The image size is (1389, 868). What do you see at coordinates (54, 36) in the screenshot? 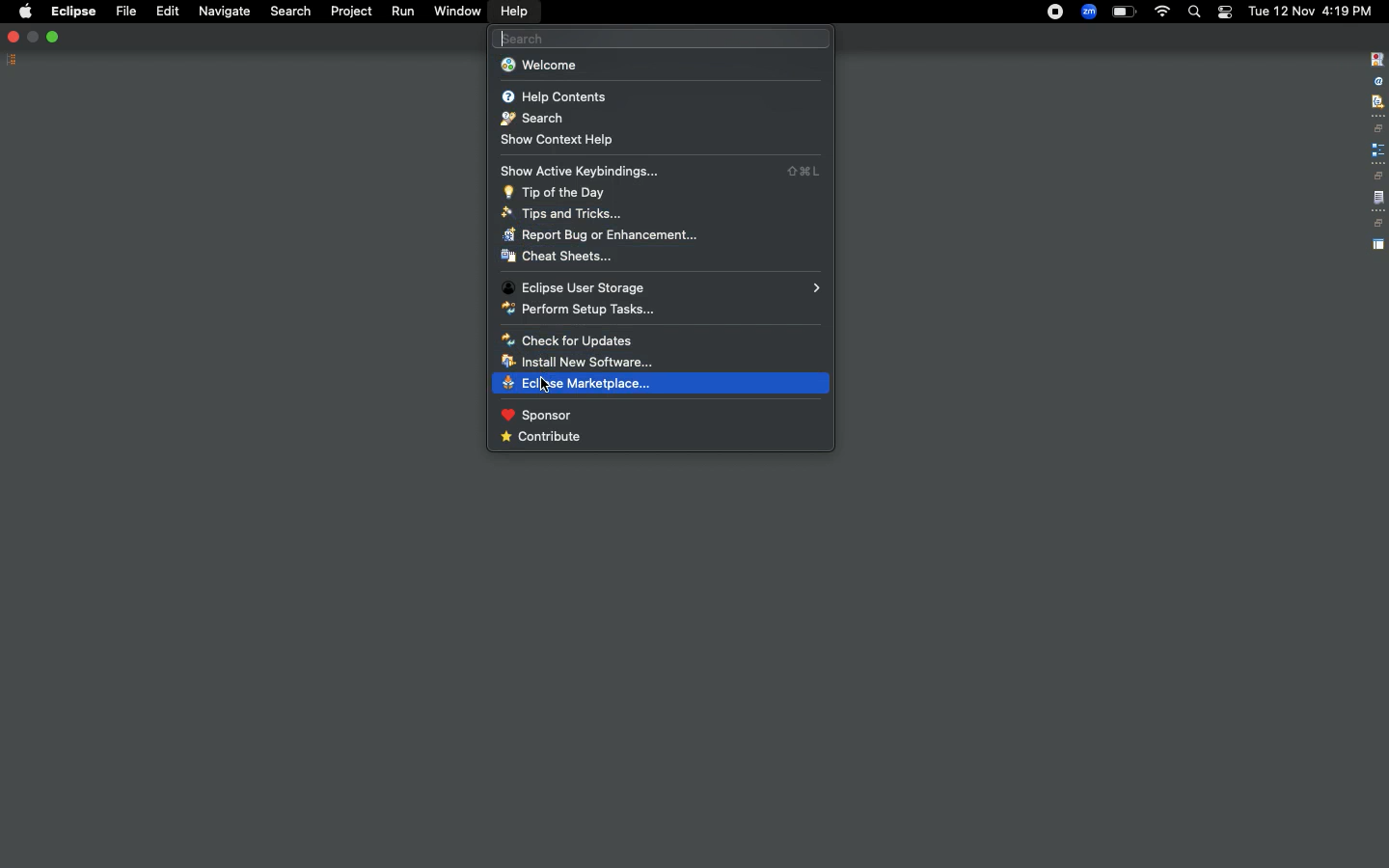
I see `exit full screen` at bounding box center [54, 36].